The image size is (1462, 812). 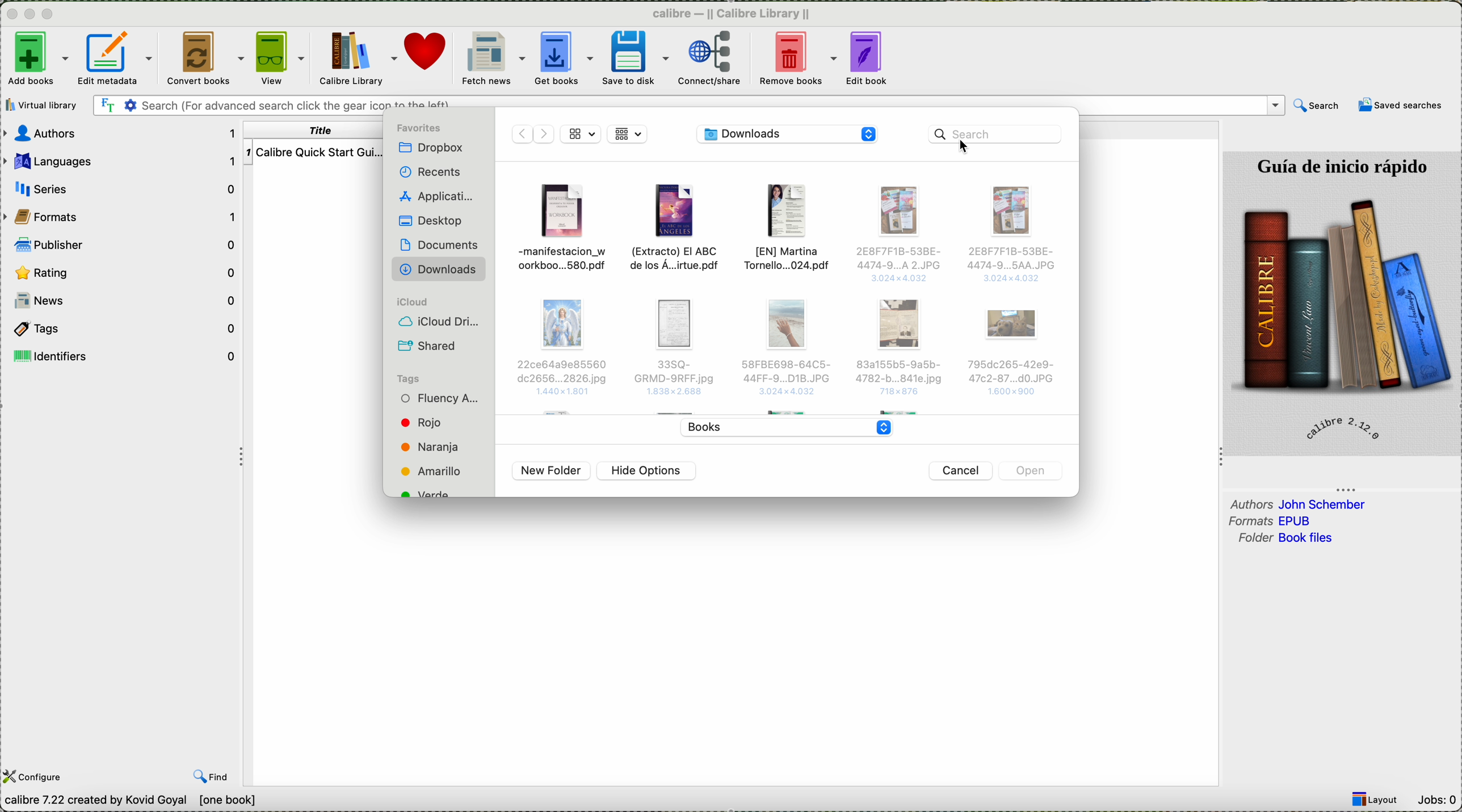 I want to click on favorites, so click(x=422, y=128).